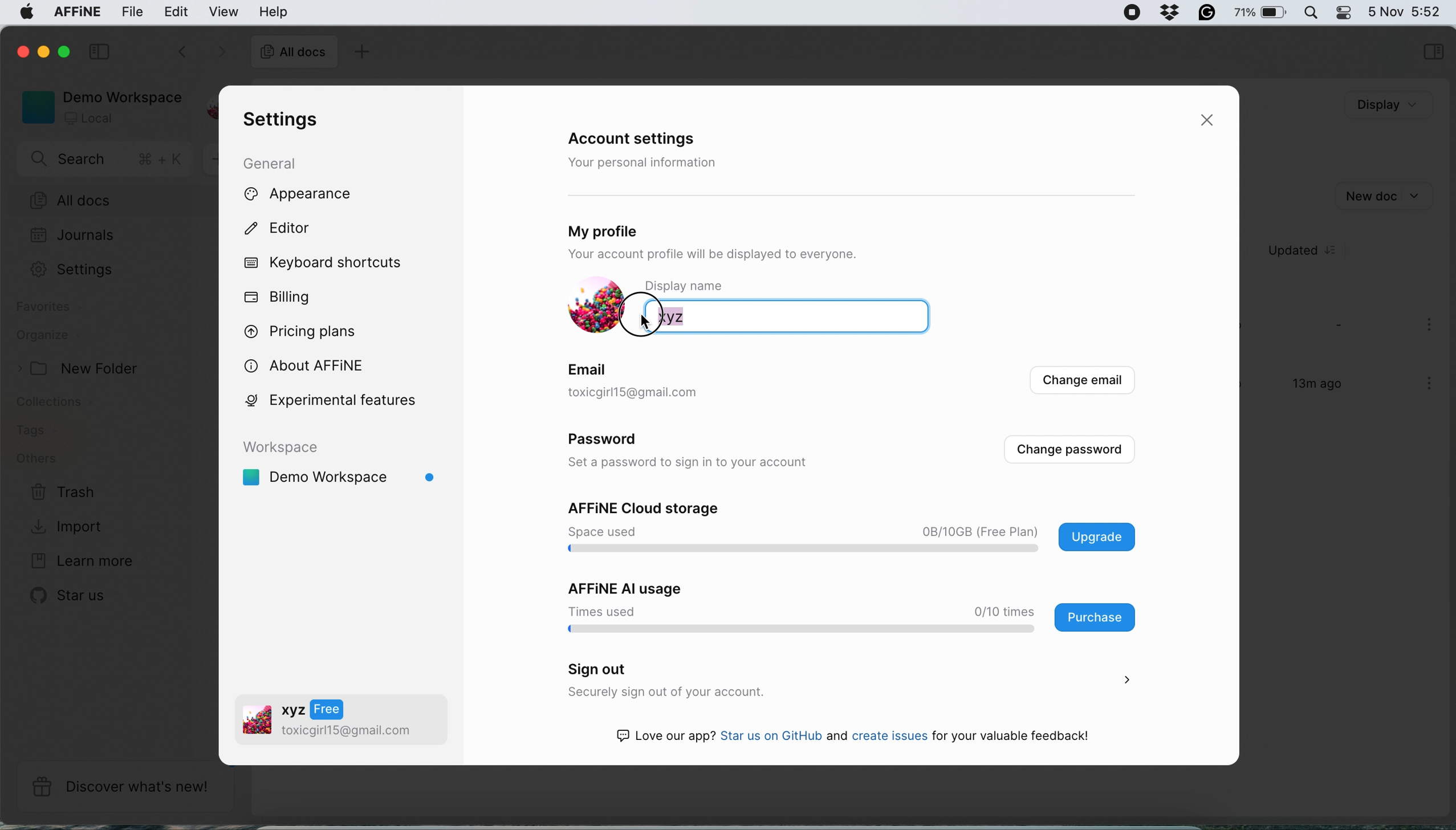 The image size is (1456, 830). I want to click on affine ai usage, so click(845, 607).